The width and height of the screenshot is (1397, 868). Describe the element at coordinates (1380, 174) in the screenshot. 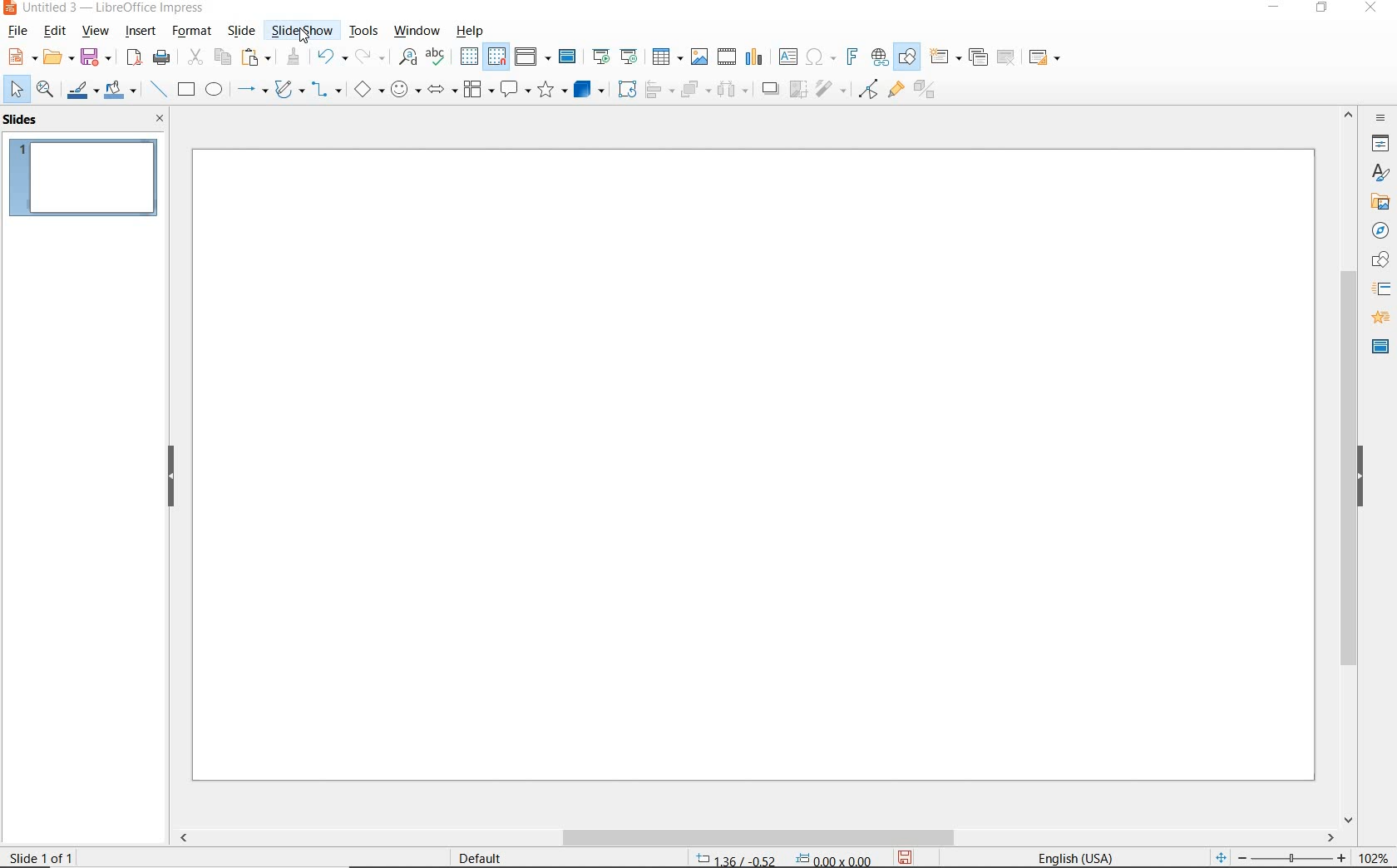

I see `STYLES` at that location.